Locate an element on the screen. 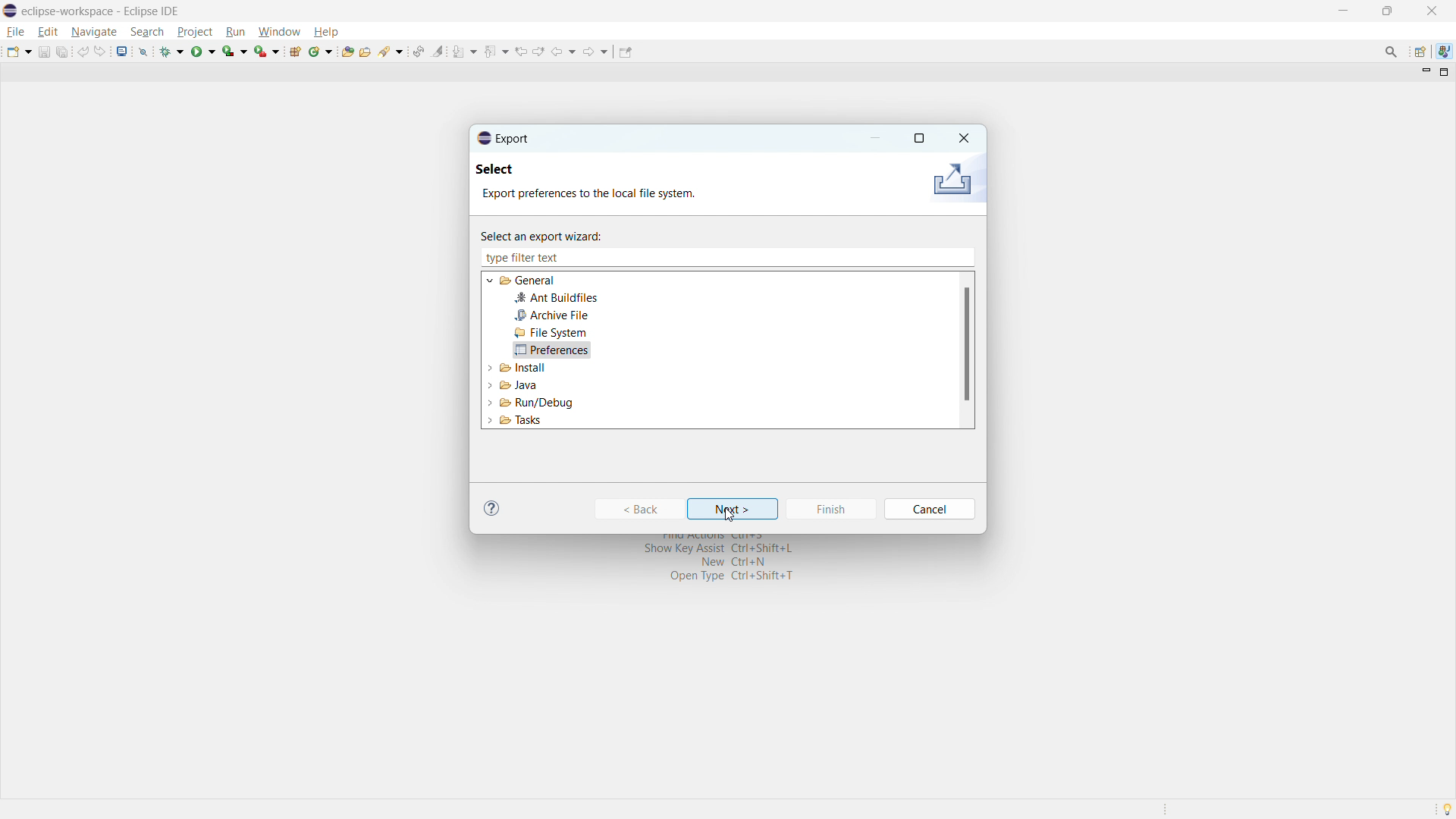 This screenshot has height=819, width=1456. next annotation is located at coordinates (465, 52).